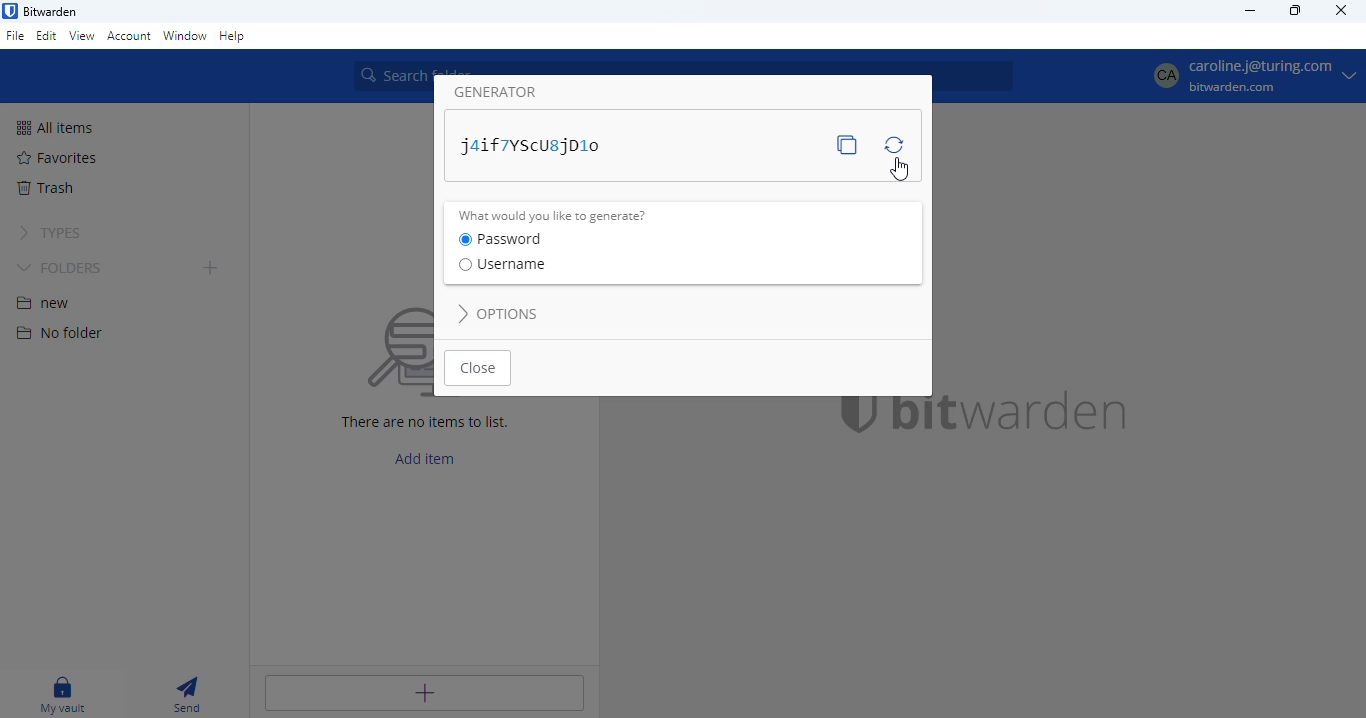 The width and height of the screenshot is (1366, 718). I want to click on password, so click(532, 145).